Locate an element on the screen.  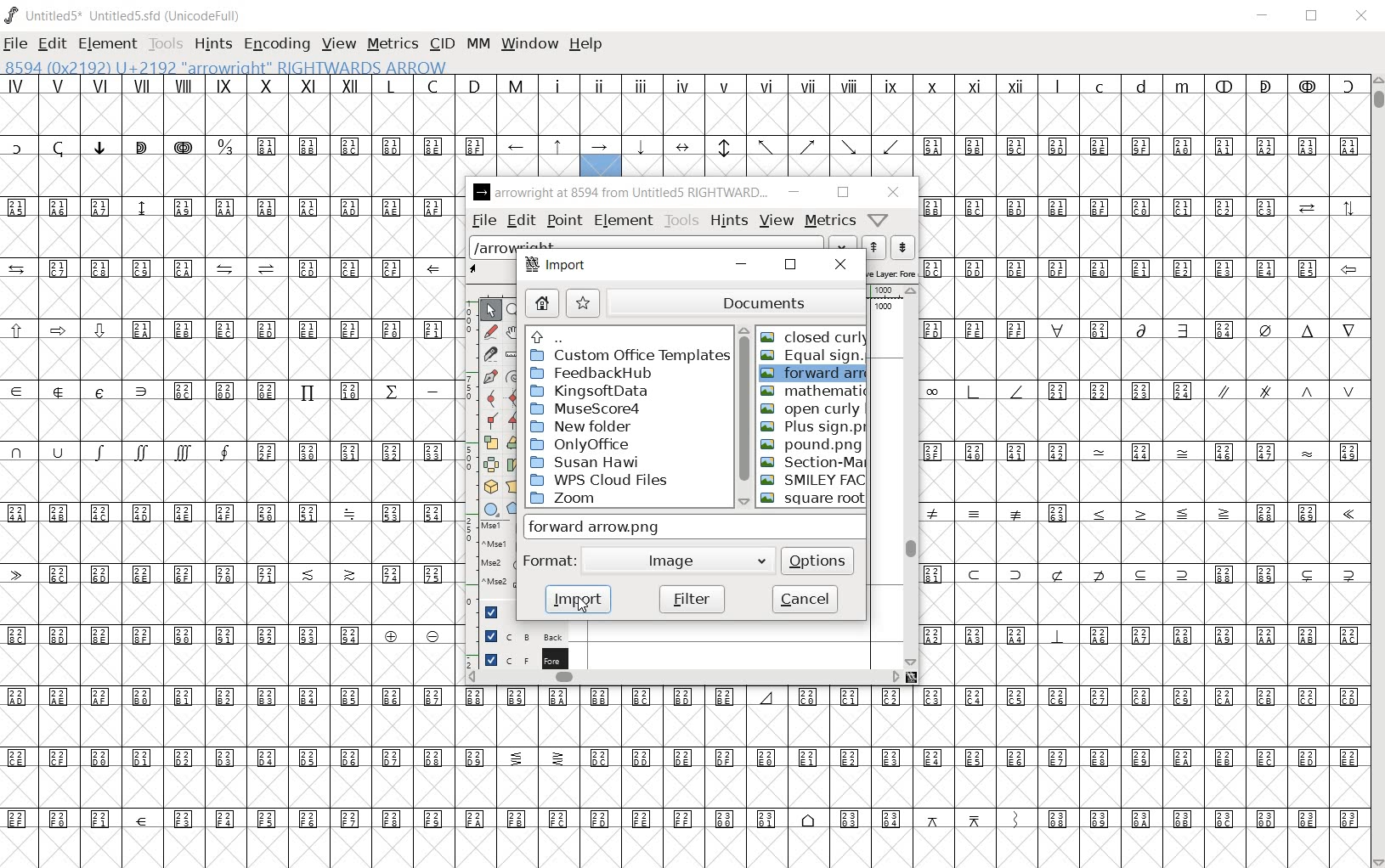
foreground is located at coordinates (518, 658).